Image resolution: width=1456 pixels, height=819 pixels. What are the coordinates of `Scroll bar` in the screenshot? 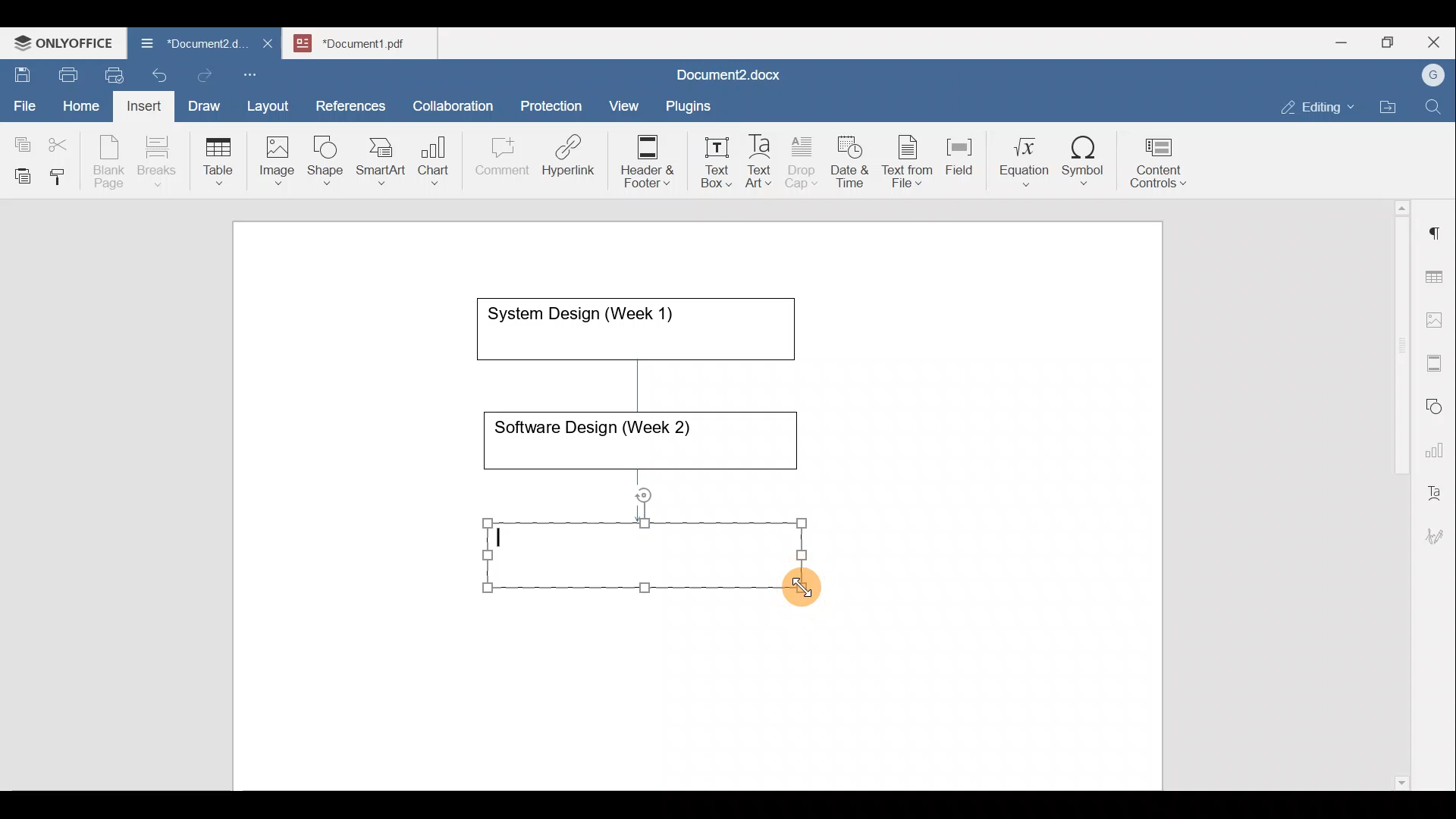 It's located at (1396, 492).